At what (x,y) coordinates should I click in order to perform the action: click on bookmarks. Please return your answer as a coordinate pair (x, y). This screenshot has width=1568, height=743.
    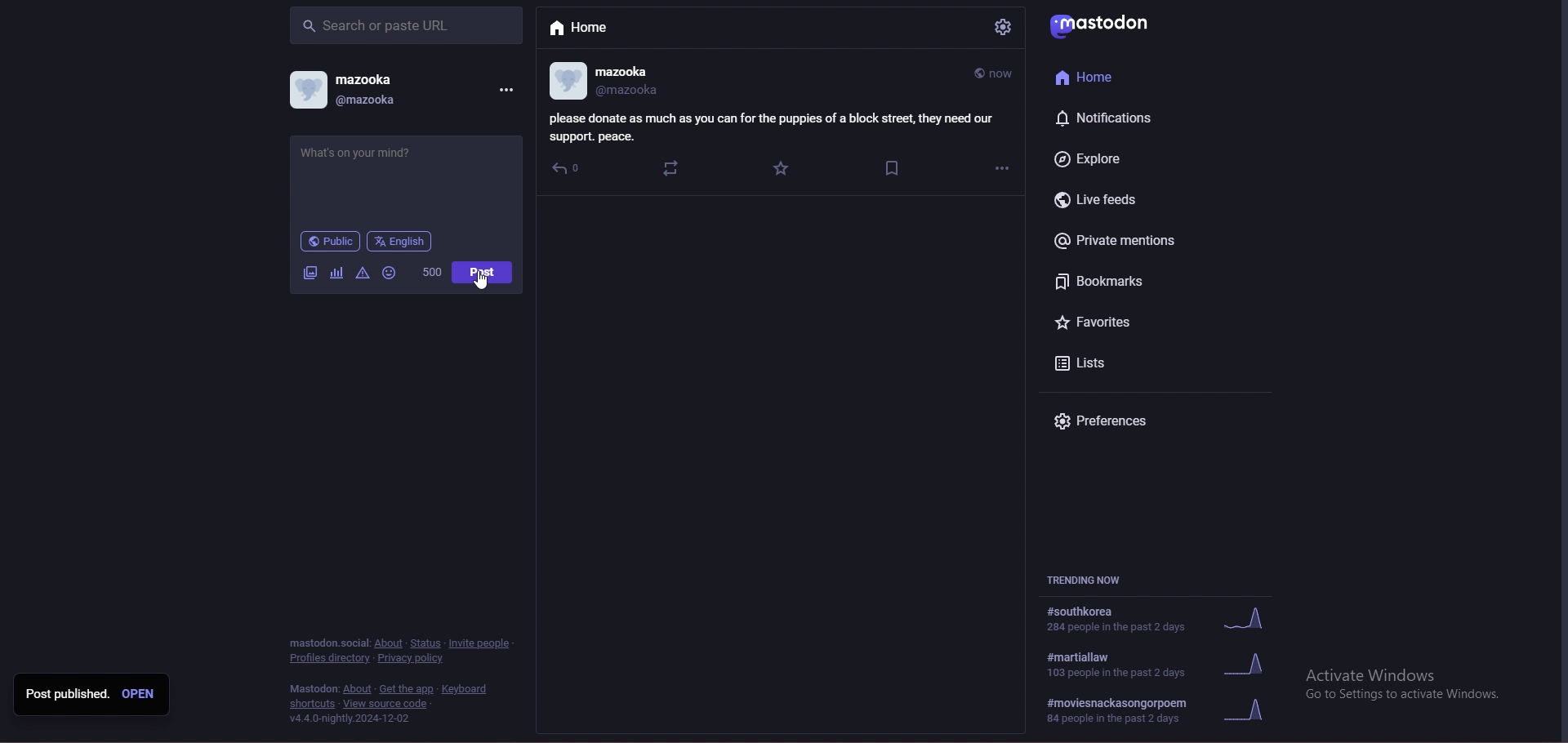
    Looking at the image, I should click on (896, 168).